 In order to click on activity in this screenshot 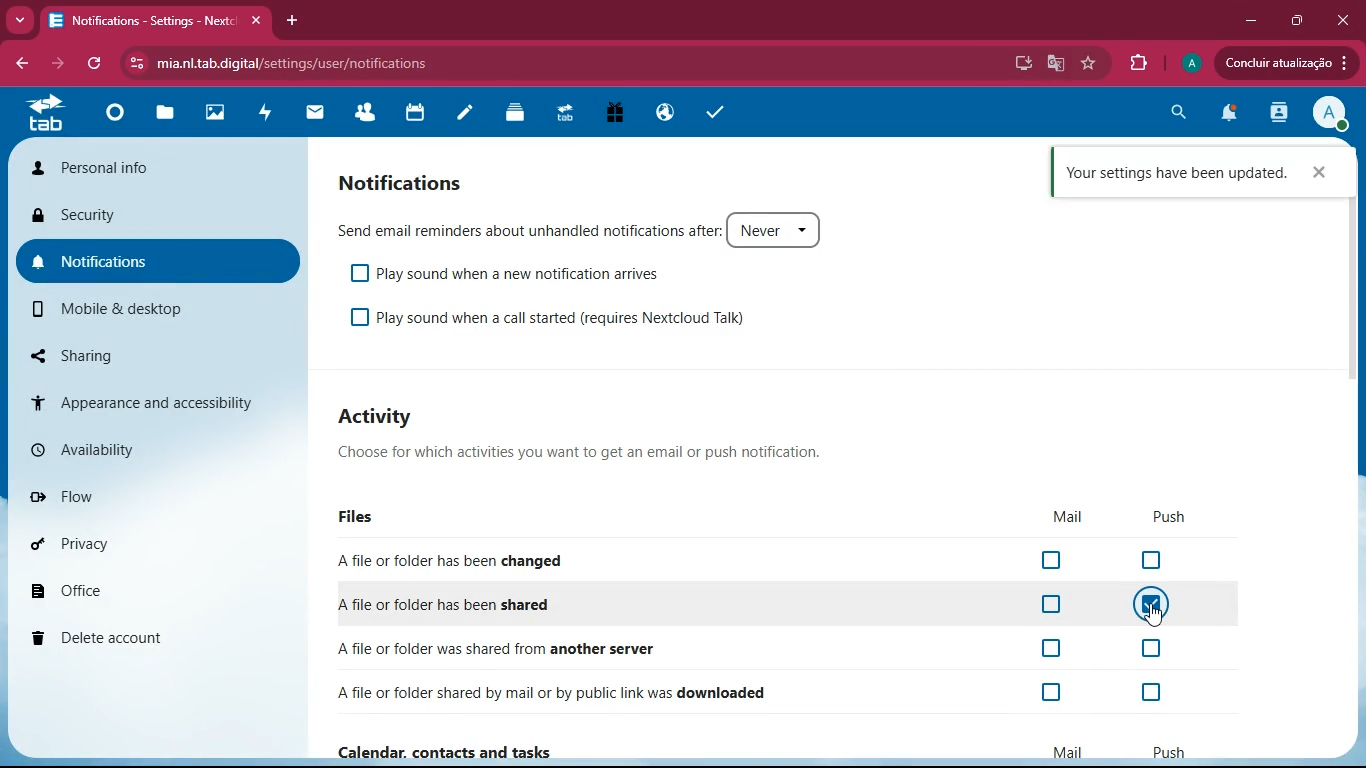, I will do `click(262, 112)`.